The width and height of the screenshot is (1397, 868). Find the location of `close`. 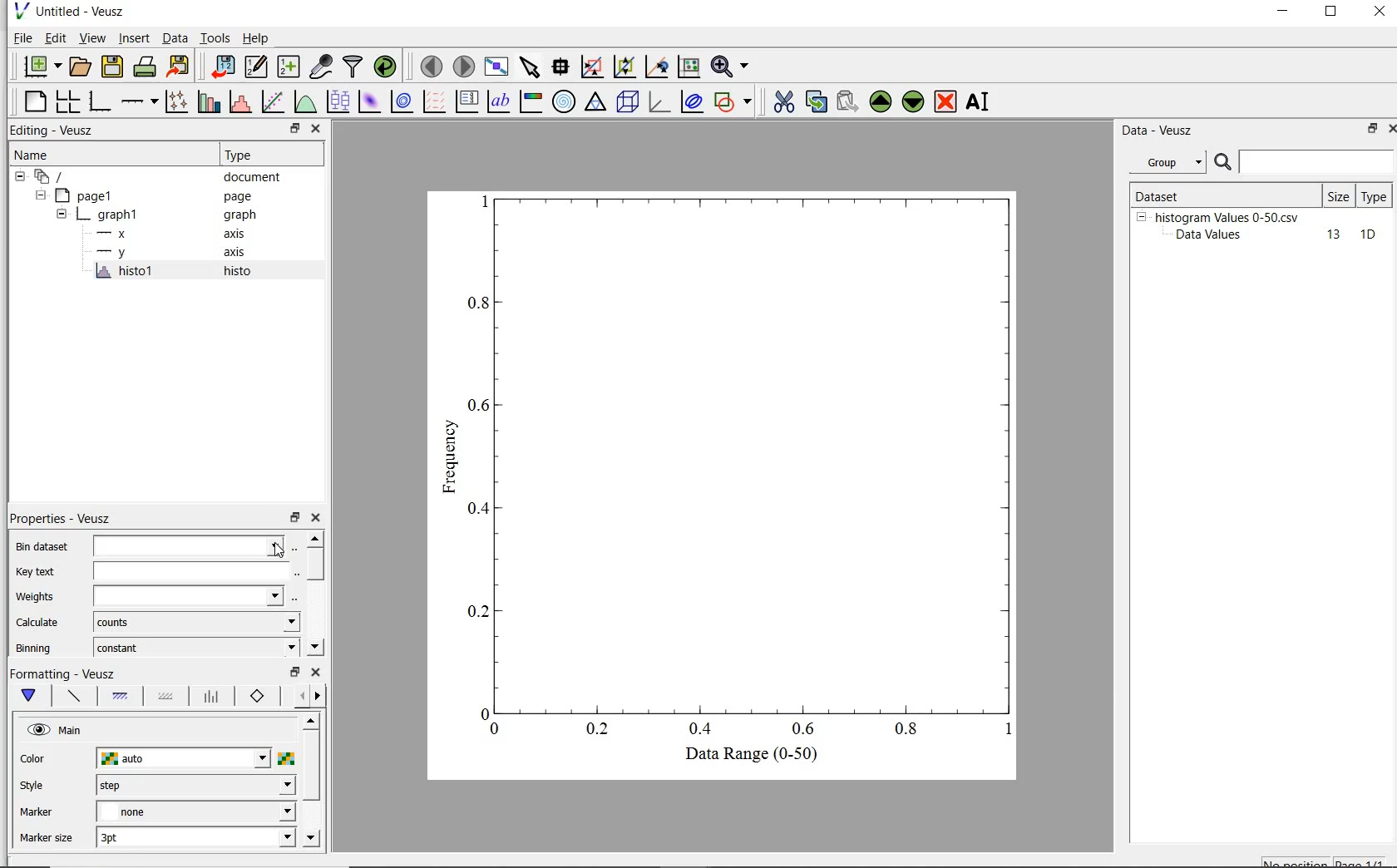

close is located at coordinates (1389, 131).